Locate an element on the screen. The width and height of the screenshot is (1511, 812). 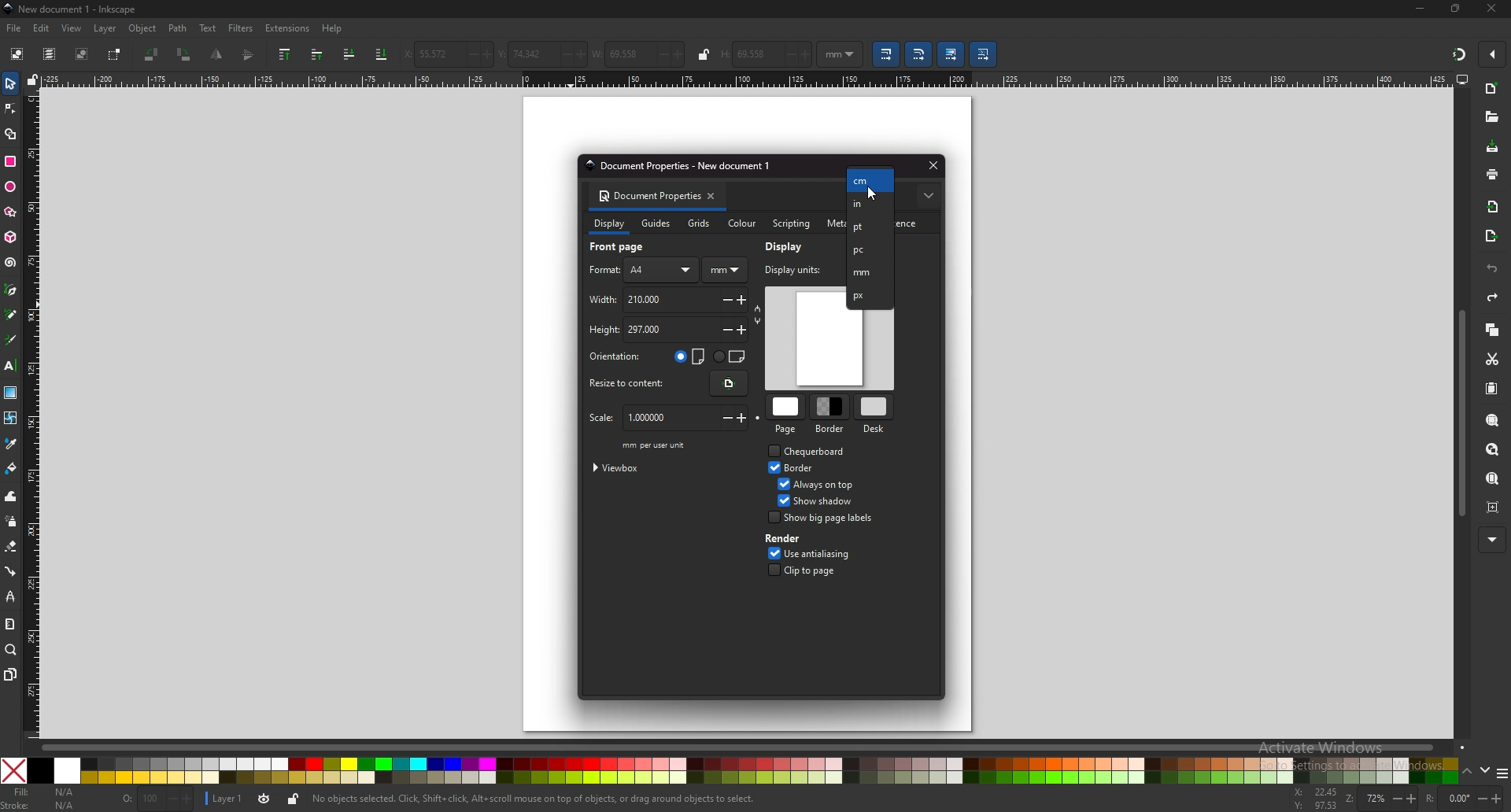
display is located at coordinates (608, 226).